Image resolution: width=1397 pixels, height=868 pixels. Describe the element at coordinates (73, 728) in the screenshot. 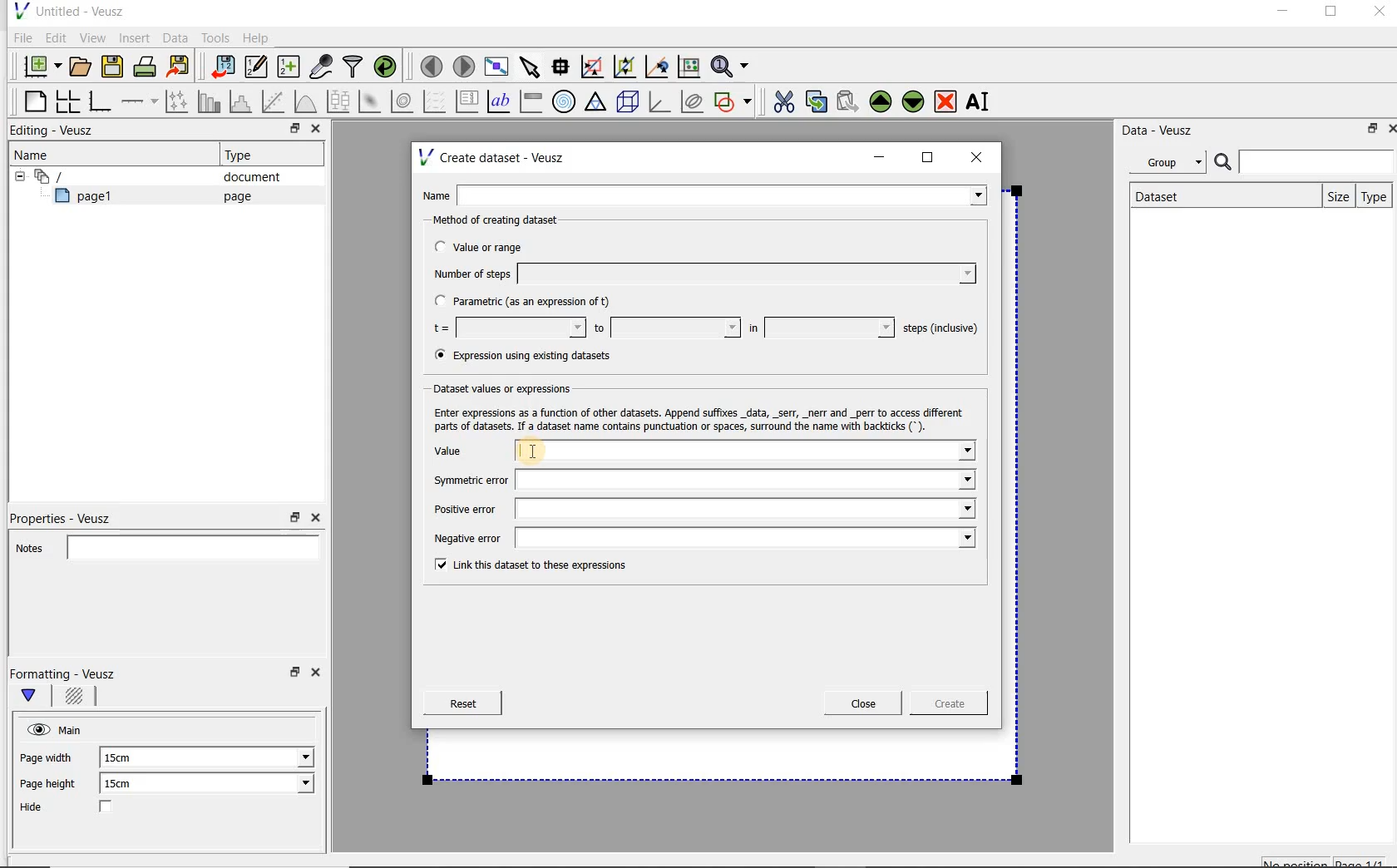

I see `Main` at that location.